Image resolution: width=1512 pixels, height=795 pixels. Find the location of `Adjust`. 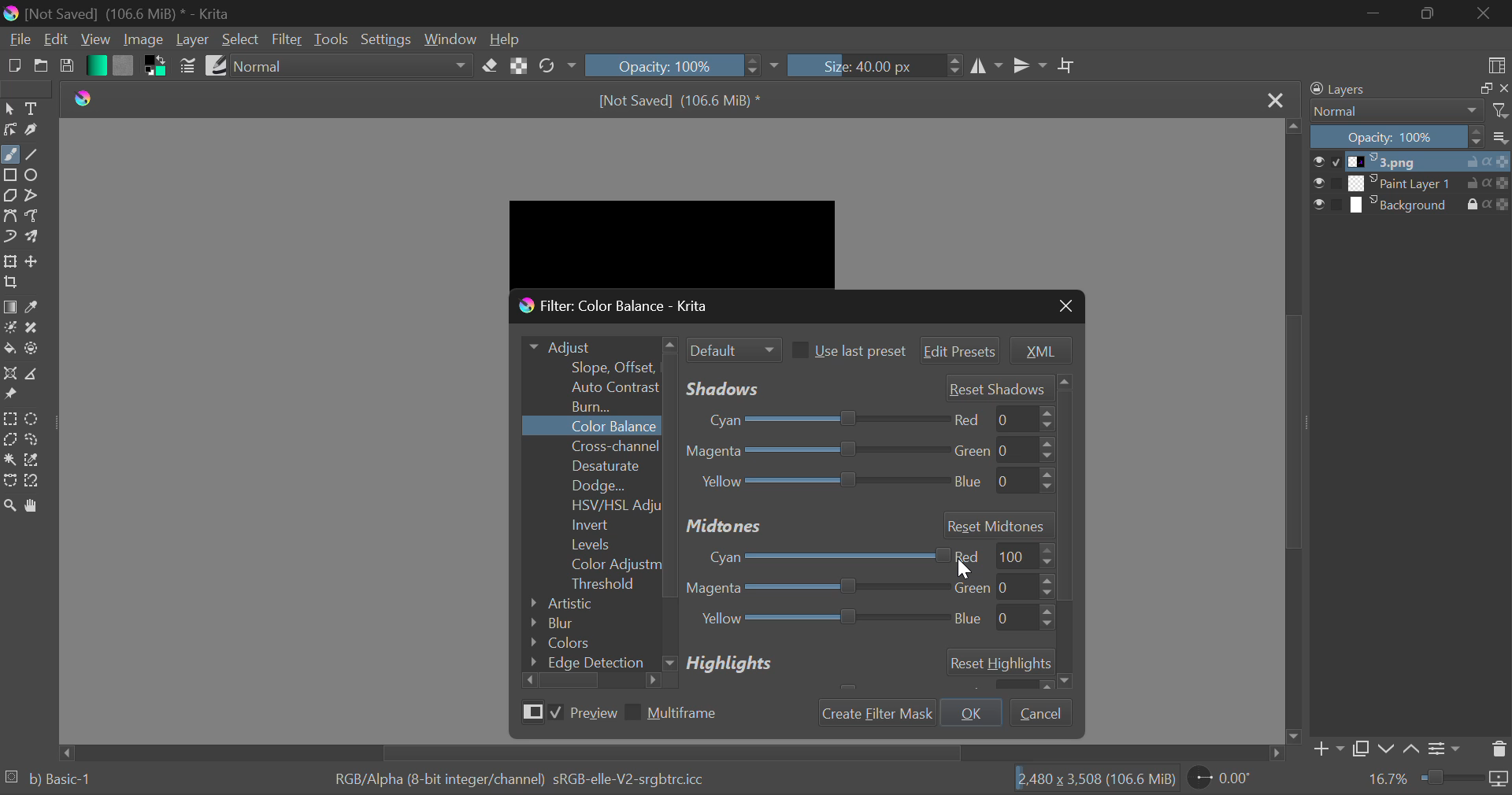

Adjust is located at coordinates (597, 348).